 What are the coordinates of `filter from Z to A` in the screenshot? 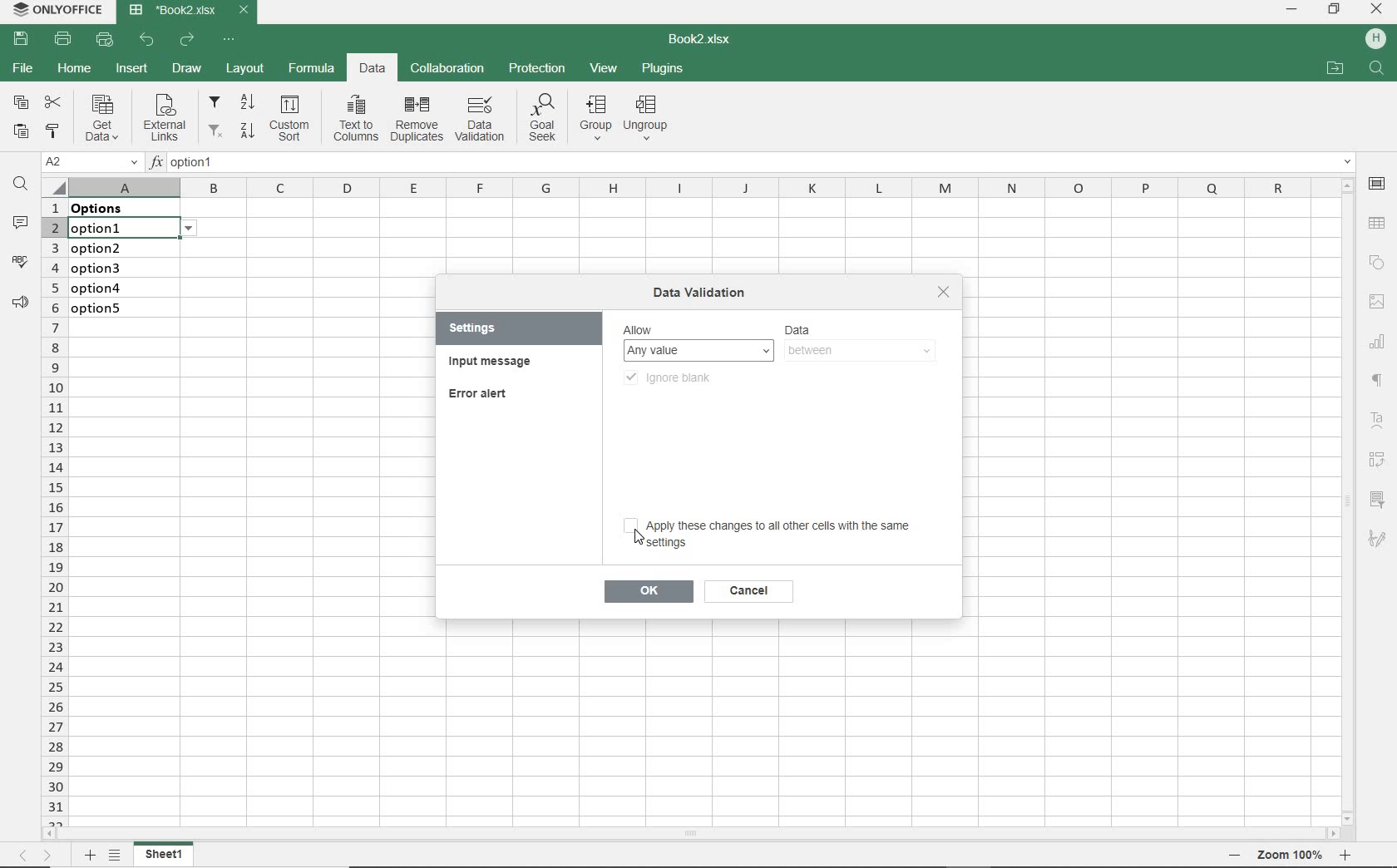 It's located at (232, 129).